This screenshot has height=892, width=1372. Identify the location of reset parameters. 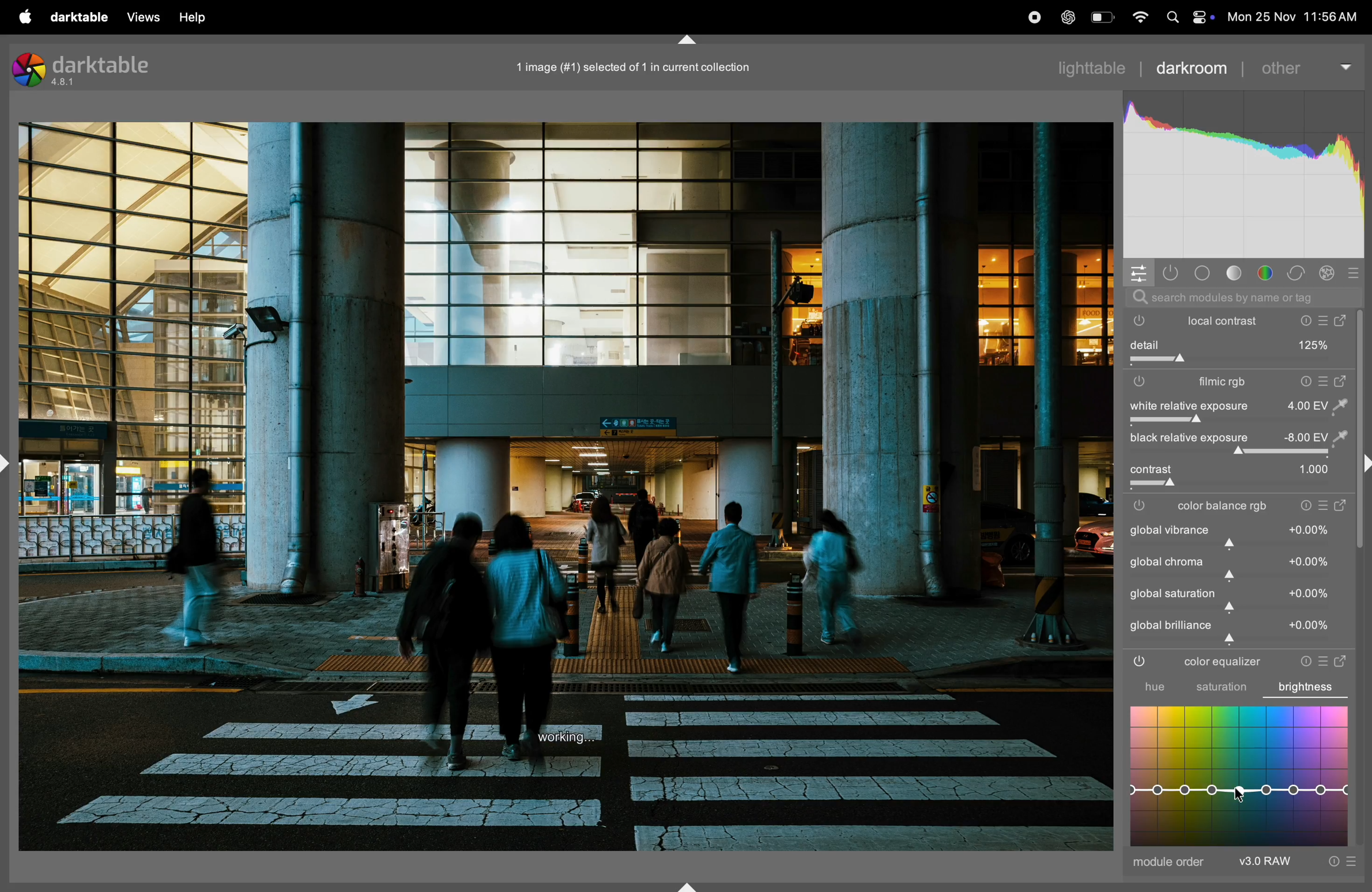
(1305, 507).